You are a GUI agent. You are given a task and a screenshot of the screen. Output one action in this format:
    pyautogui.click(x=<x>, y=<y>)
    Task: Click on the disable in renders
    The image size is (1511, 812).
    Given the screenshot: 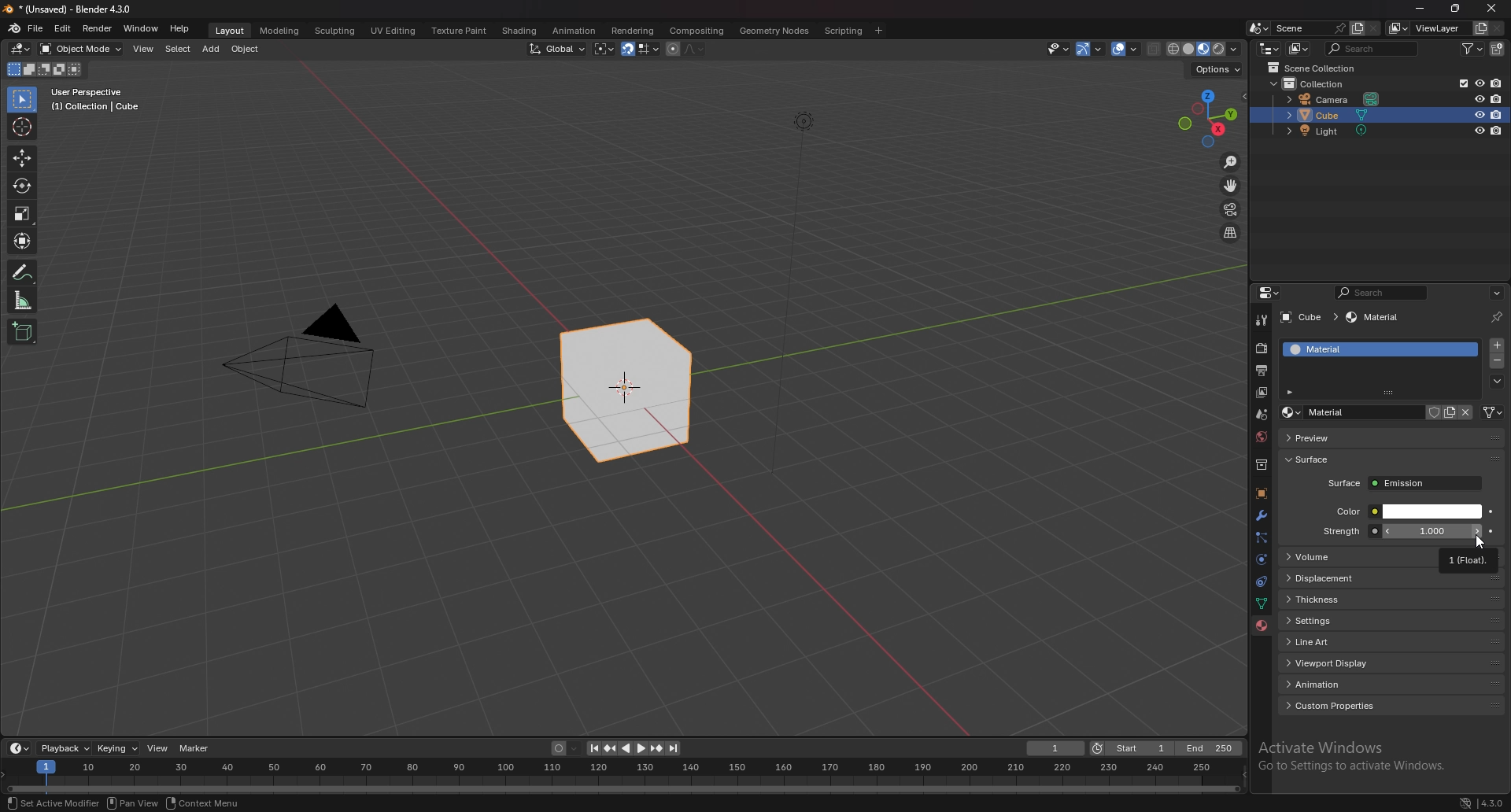 What is the action you would take?
    pyautogui.click(x=1497, y=131)
    